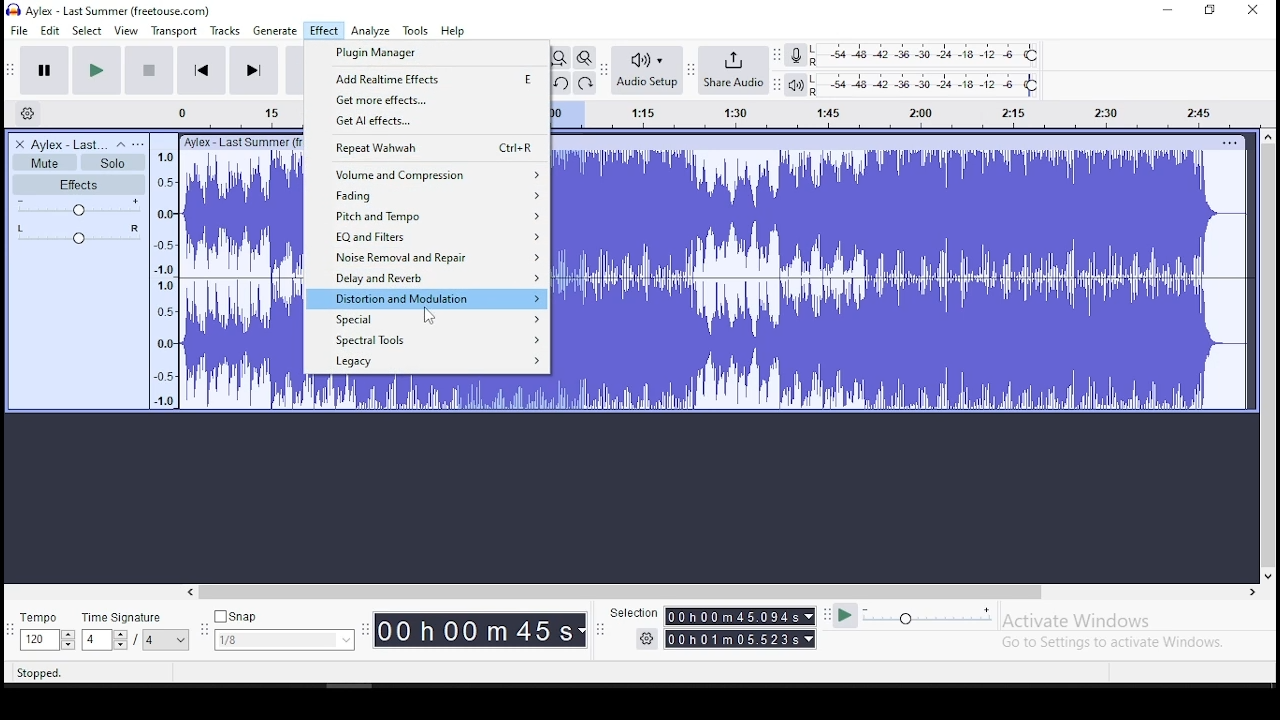 This screenshot has height=720, width=1280. What do you see at coordinates (741, 616) in the screenshot?
I see `00h00m55.989s` at bounding box center [741, 616].